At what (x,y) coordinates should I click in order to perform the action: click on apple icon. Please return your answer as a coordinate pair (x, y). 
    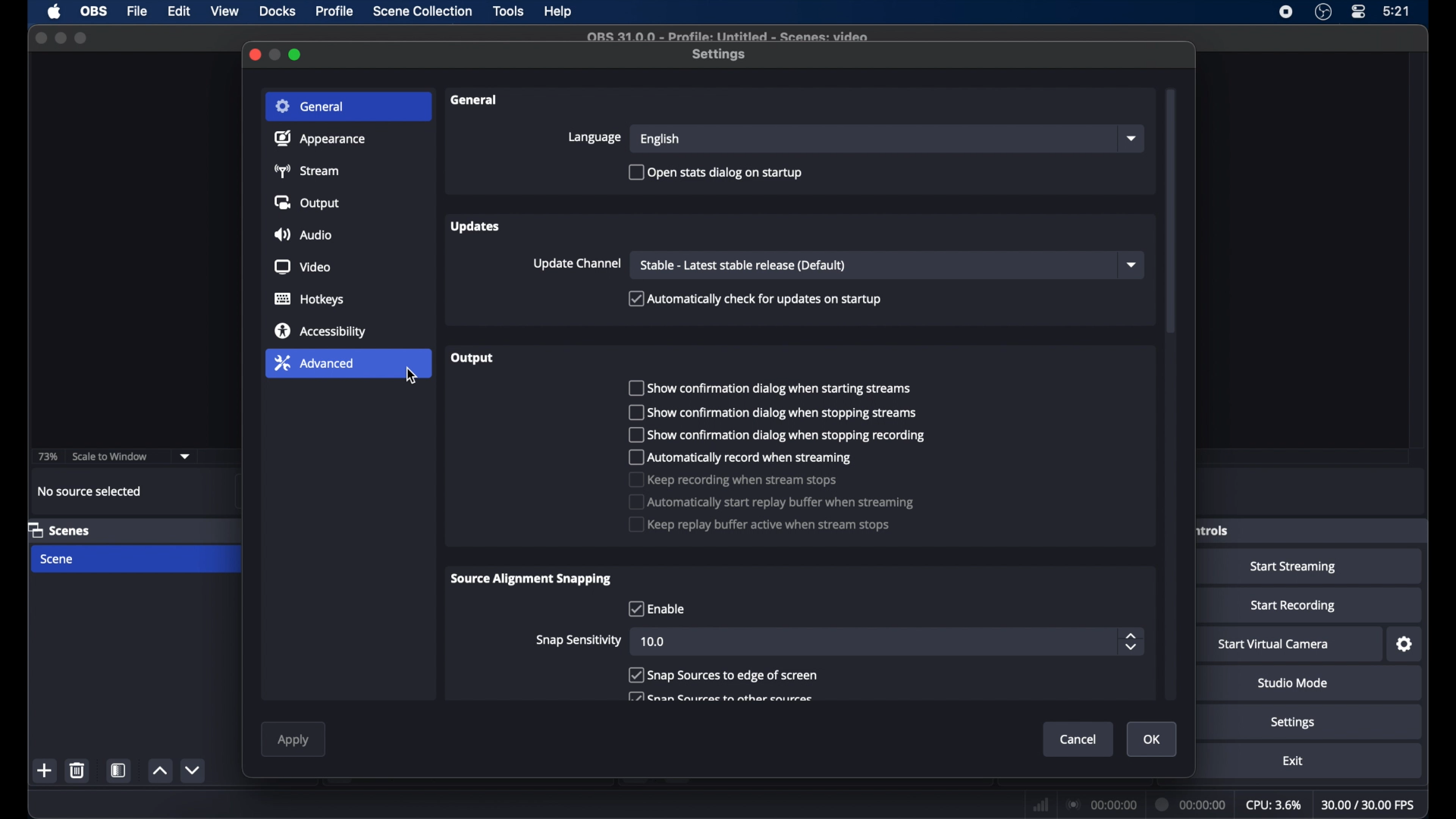
    Looking at the image, I should click on (54, 11).